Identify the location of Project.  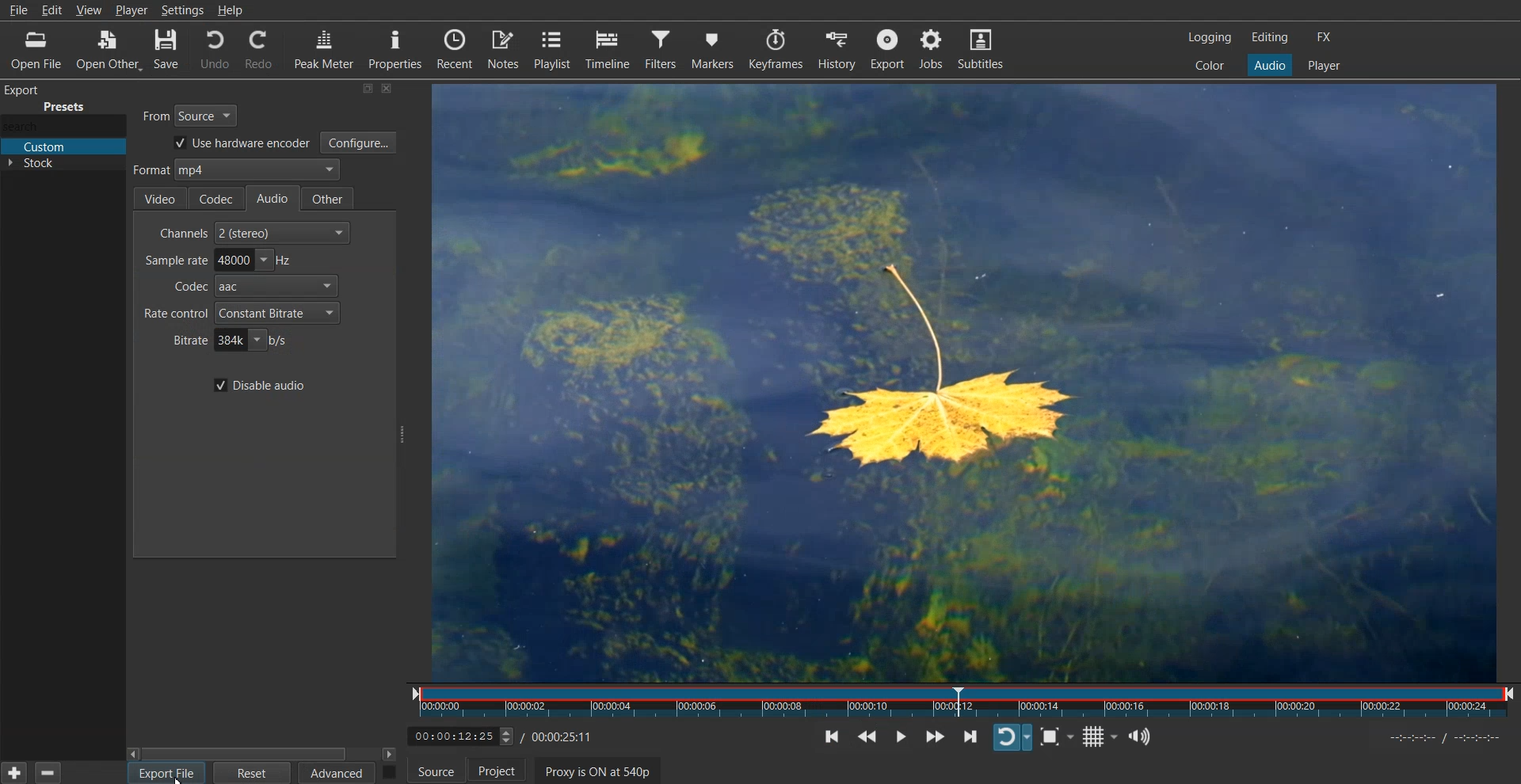
(505, 773).